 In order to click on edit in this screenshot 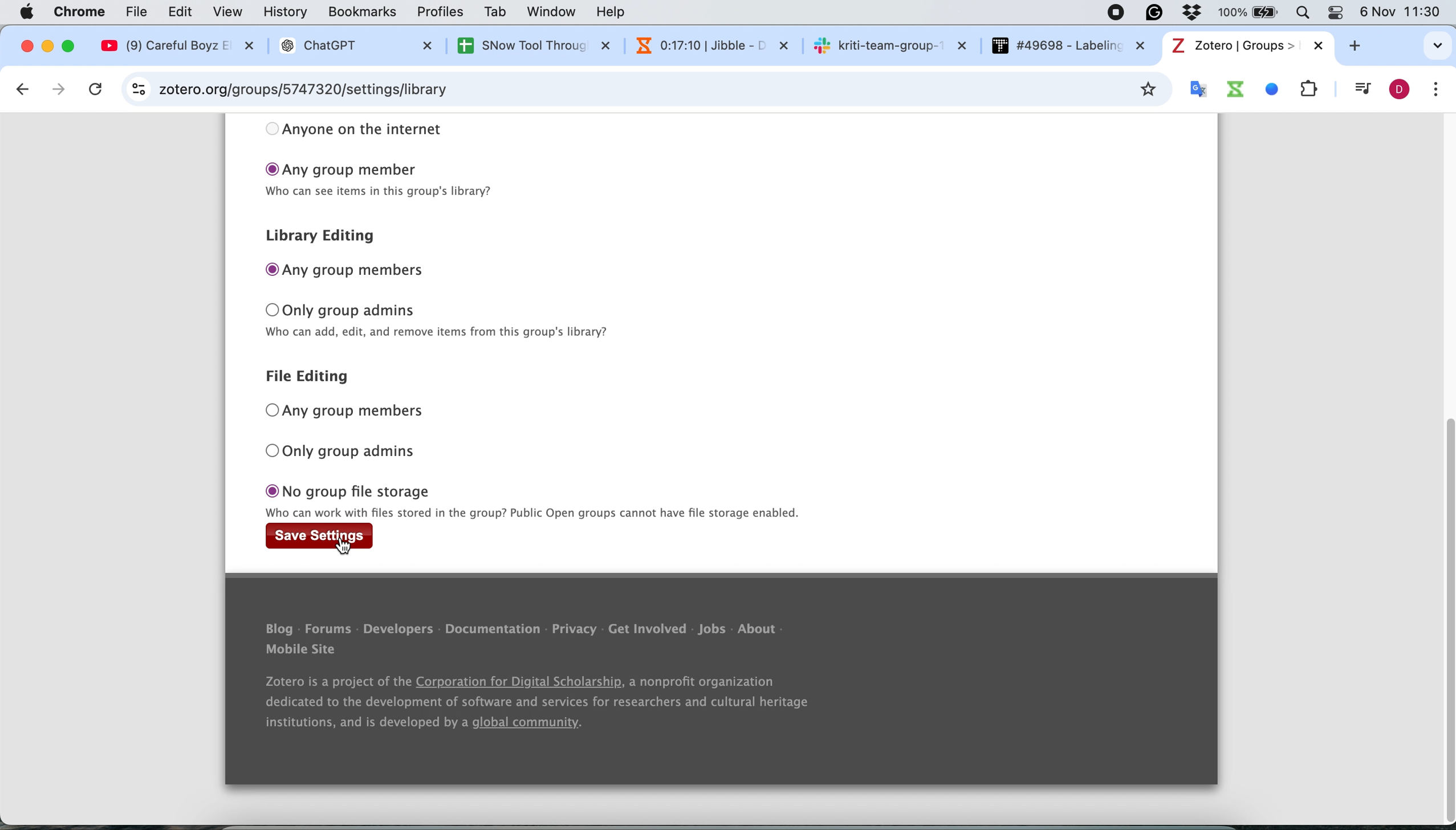, I will do `click(183, 13)`.